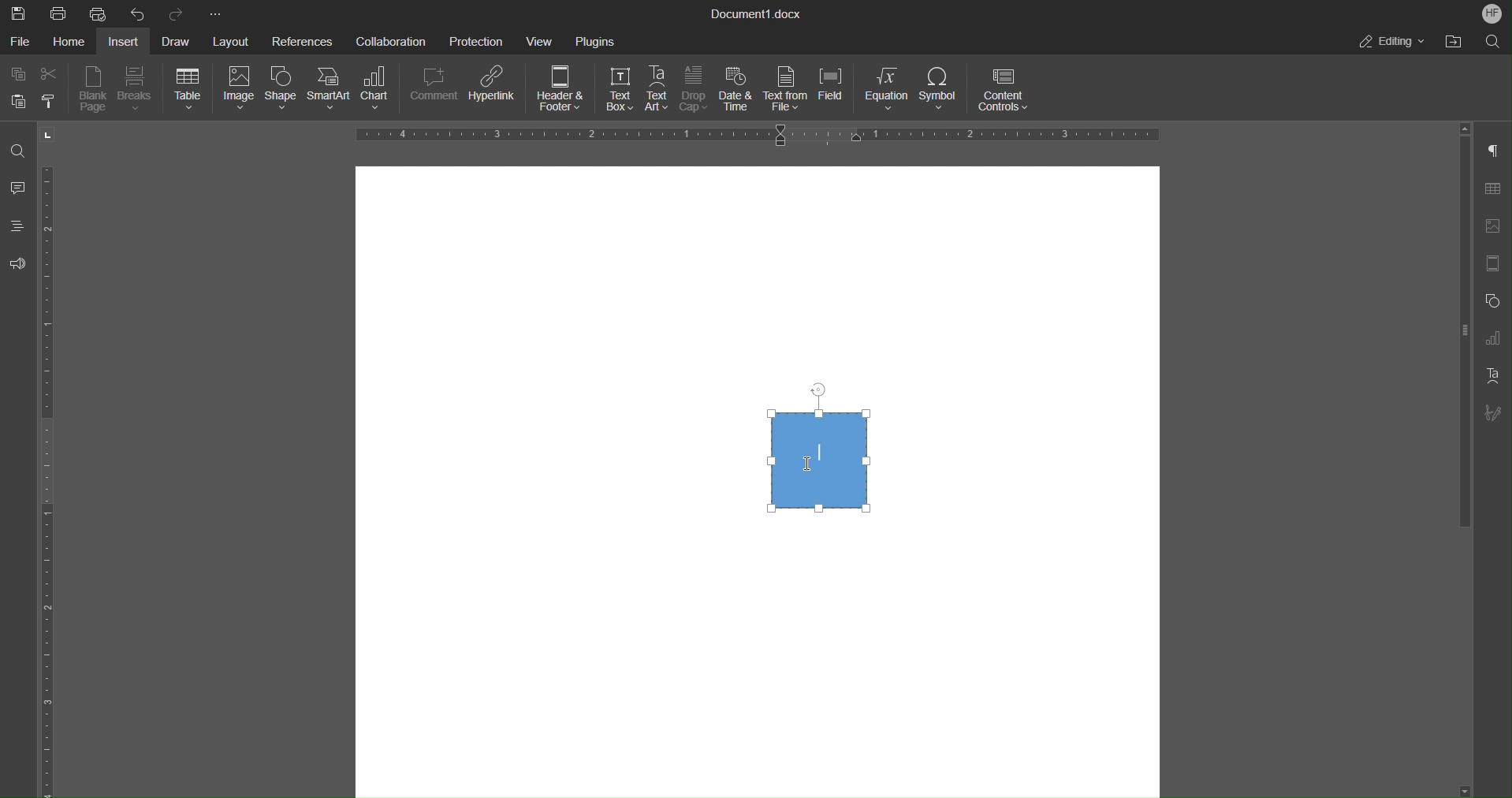  I want to click on Text Art, so click(658, 90).